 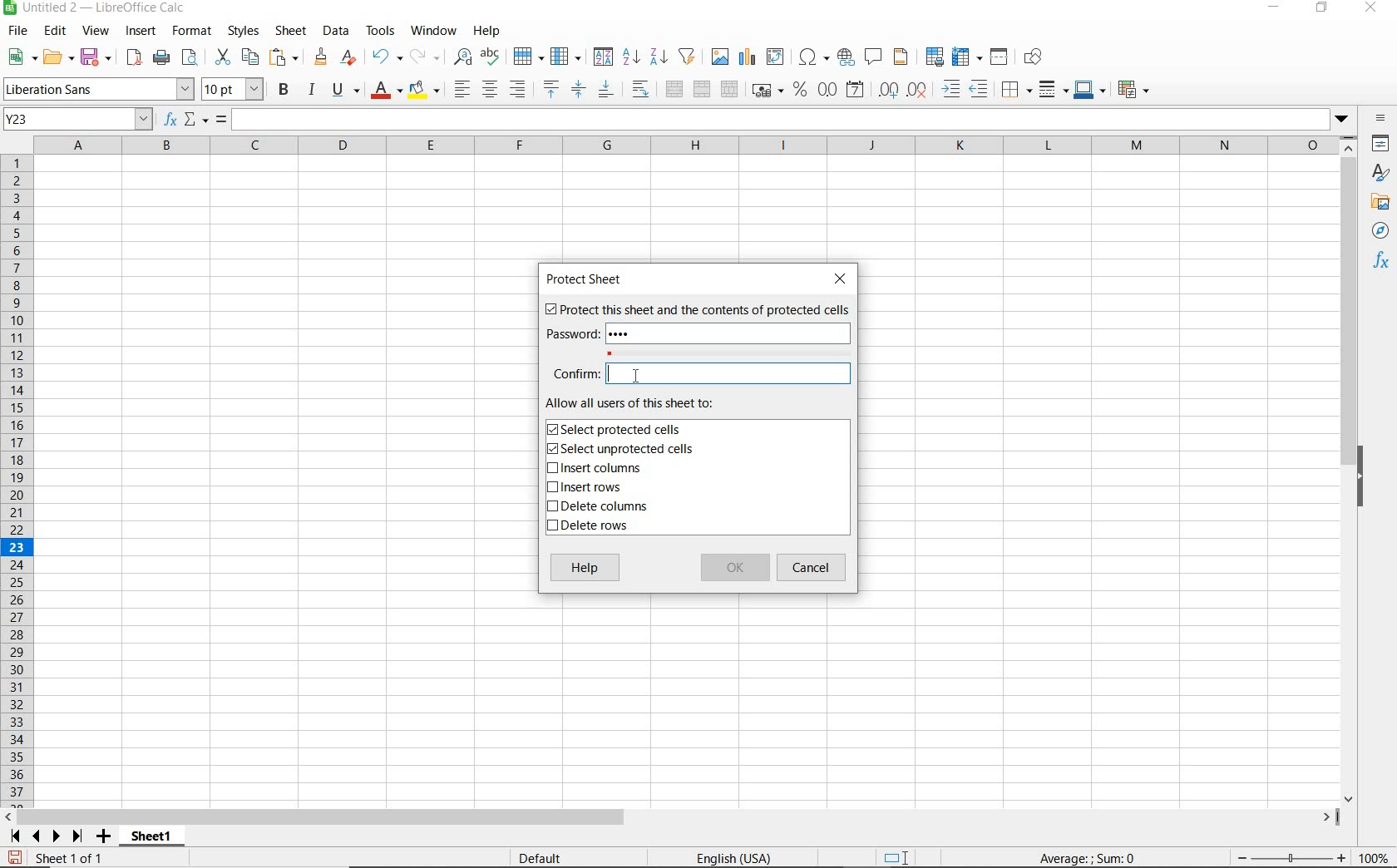 What do you see at coordinates (57, 858) in the screenshot?
I see `Sheet 1 of 1` at bounding box center [57, 858].